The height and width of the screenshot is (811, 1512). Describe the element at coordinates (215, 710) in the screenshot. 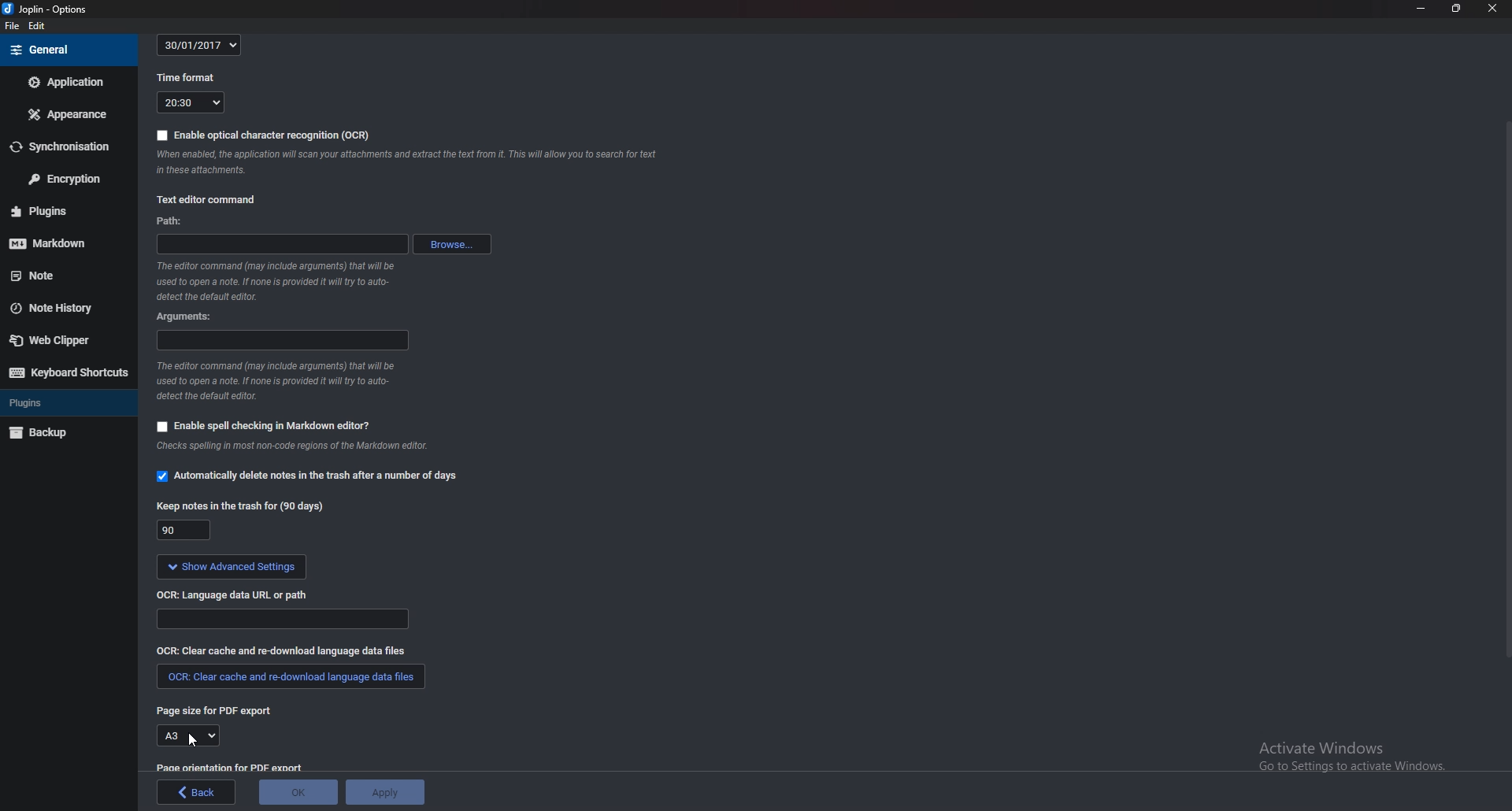

I see `page size for P D F export` at that location.